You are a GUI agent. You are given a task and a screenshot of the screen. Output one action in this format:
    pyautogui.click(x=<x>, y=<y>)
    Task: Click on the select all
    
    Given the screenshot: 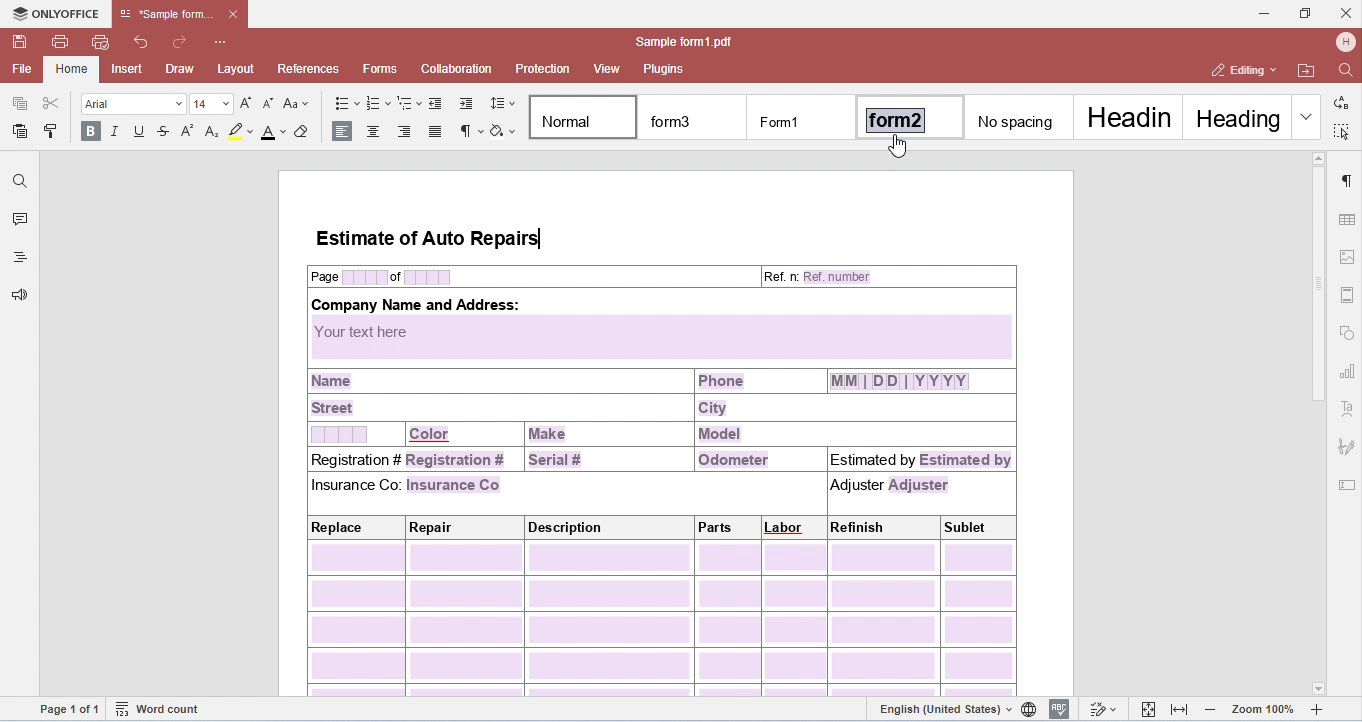 What is the action you would take?
    pyautogui.click(x=1343, y=130)
    